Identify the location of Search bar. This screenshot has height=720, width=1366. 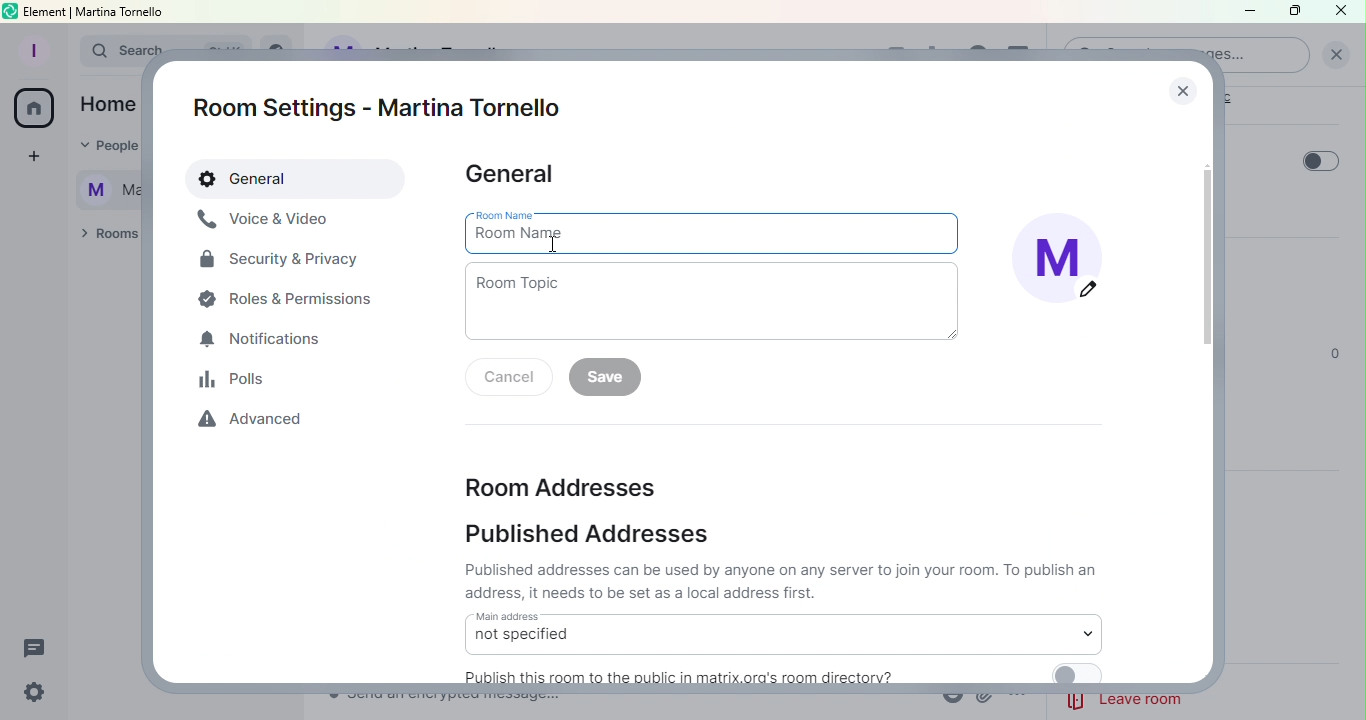
(106, 51).